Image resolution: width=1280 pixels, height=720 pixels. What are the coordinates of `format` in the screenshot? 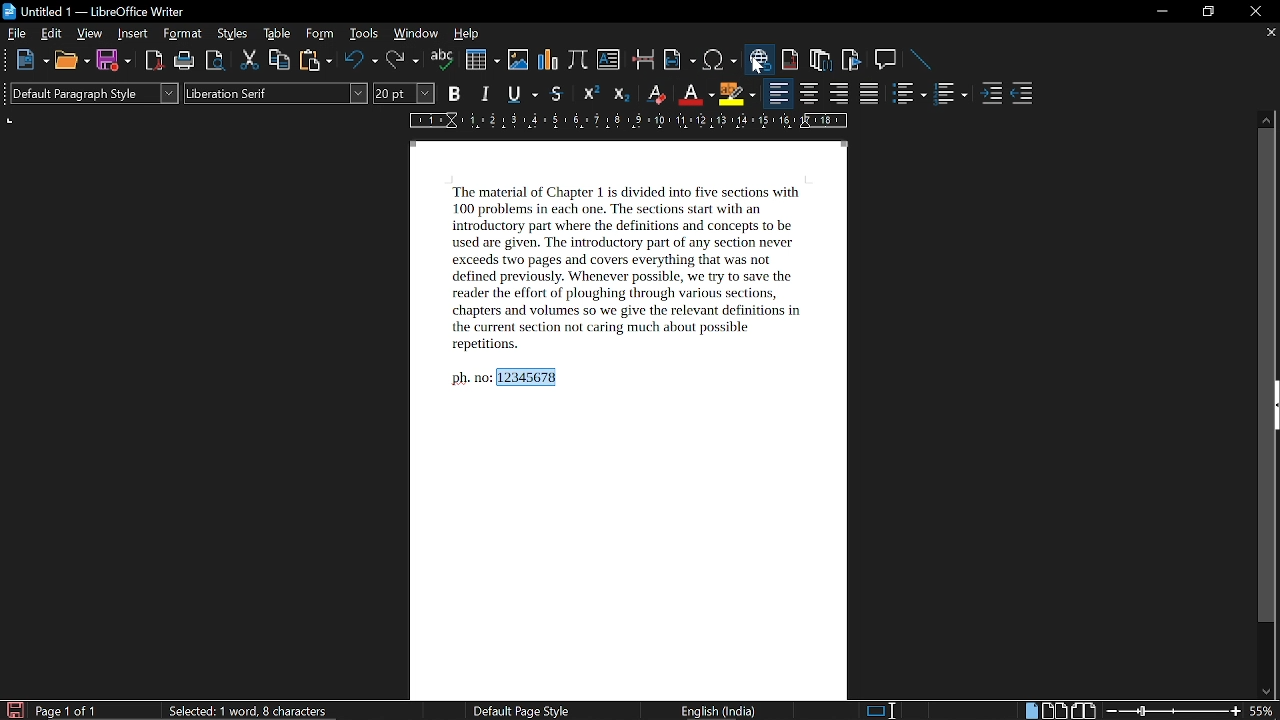 It's located at (180, 35).